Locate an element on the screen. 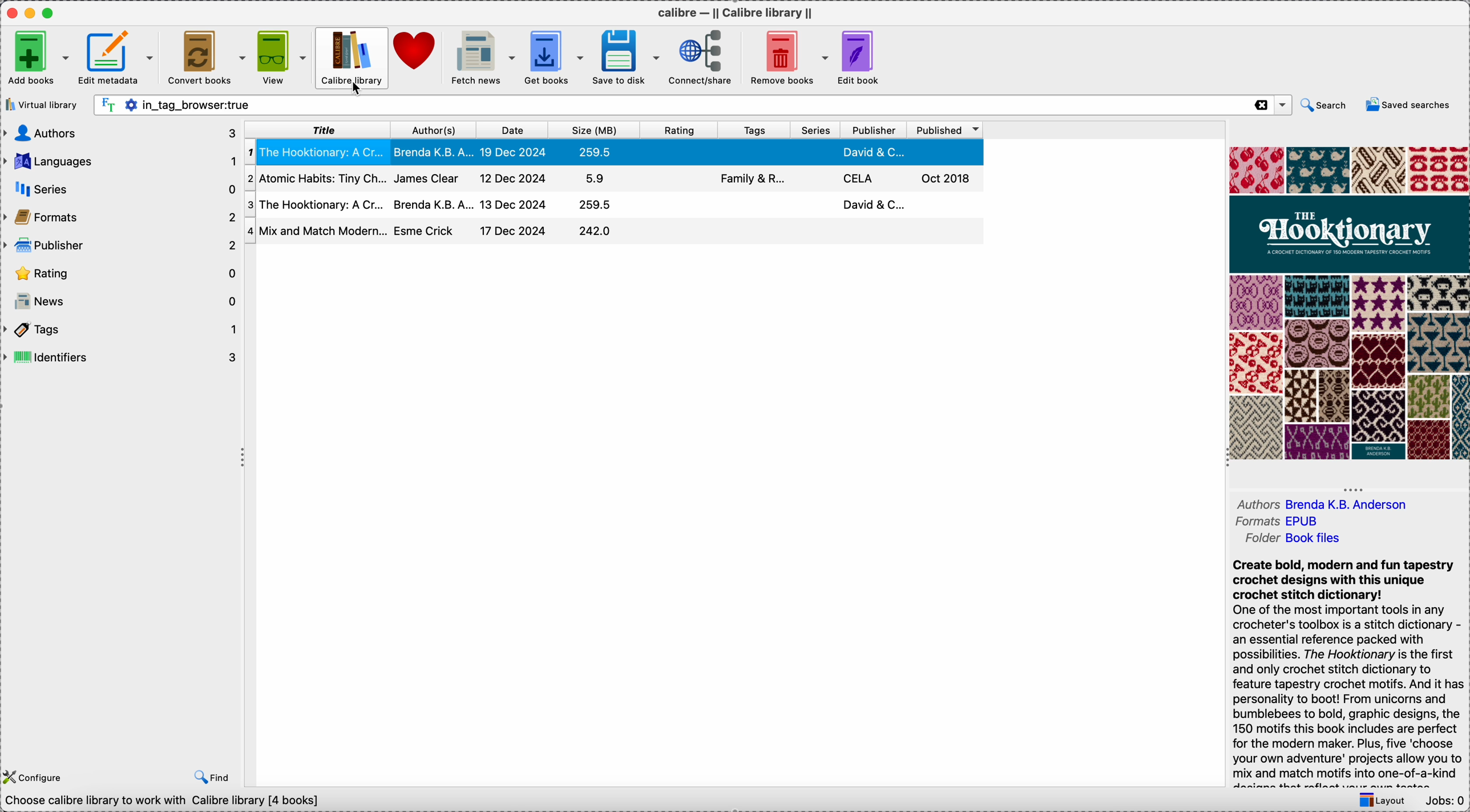 The height and width of the screenshot is (812, 1470). hide is located at coordinates (243, 460).